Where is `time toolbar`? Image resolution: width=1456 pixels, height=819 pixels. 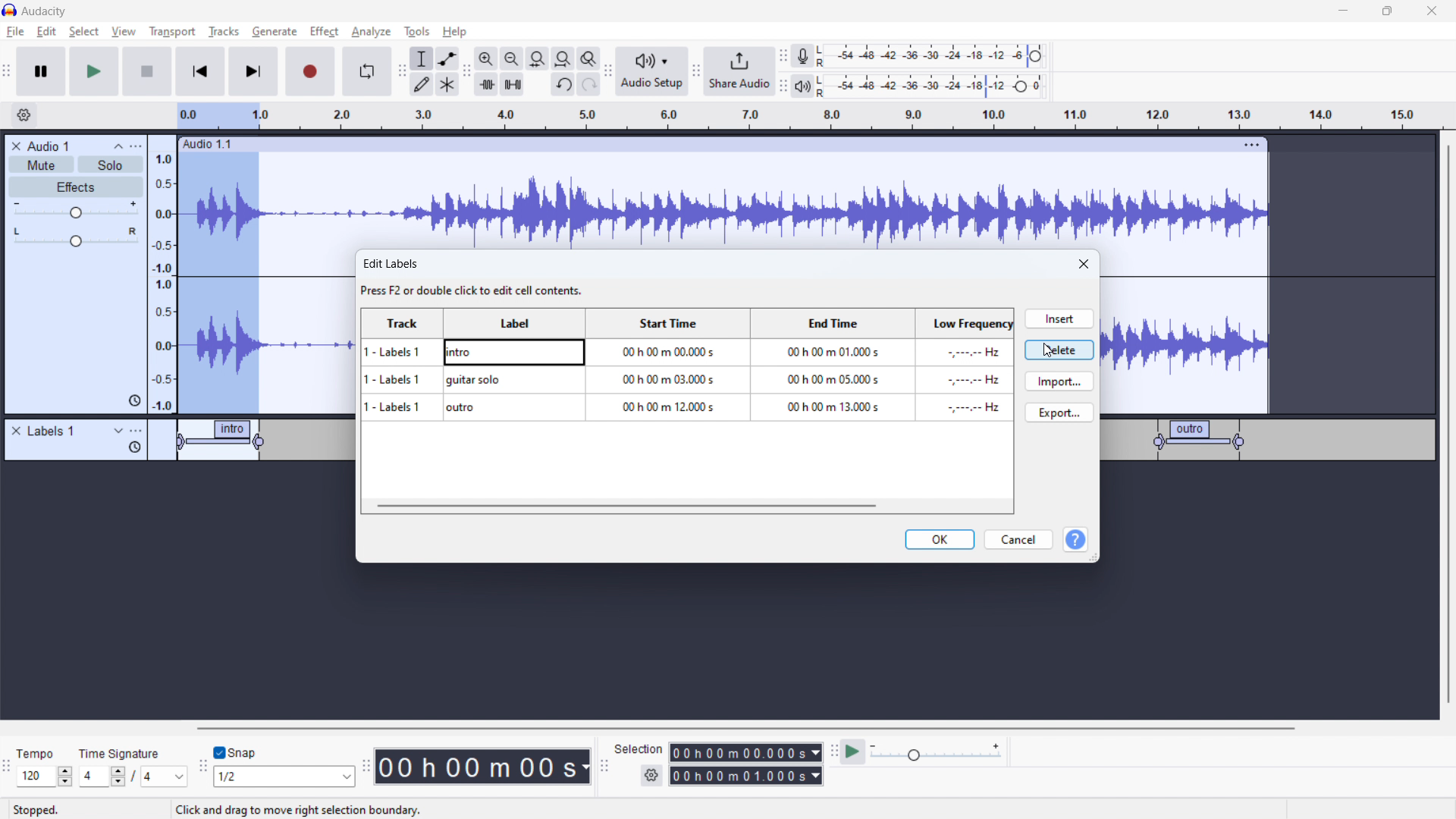
time toolbar is located at coordinates (366, 768).